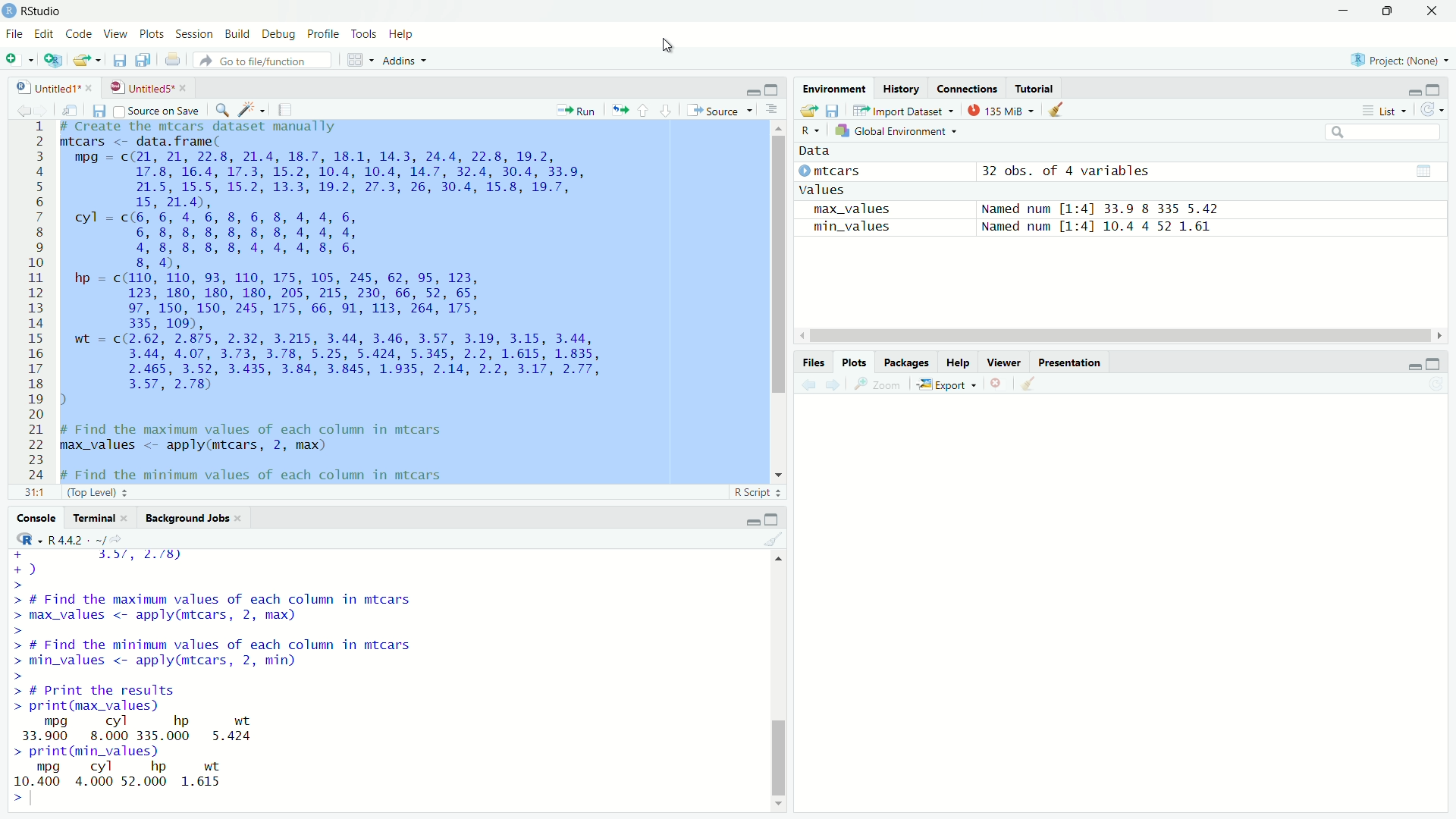  I want to click on ) RStudio, so click(36, 10).